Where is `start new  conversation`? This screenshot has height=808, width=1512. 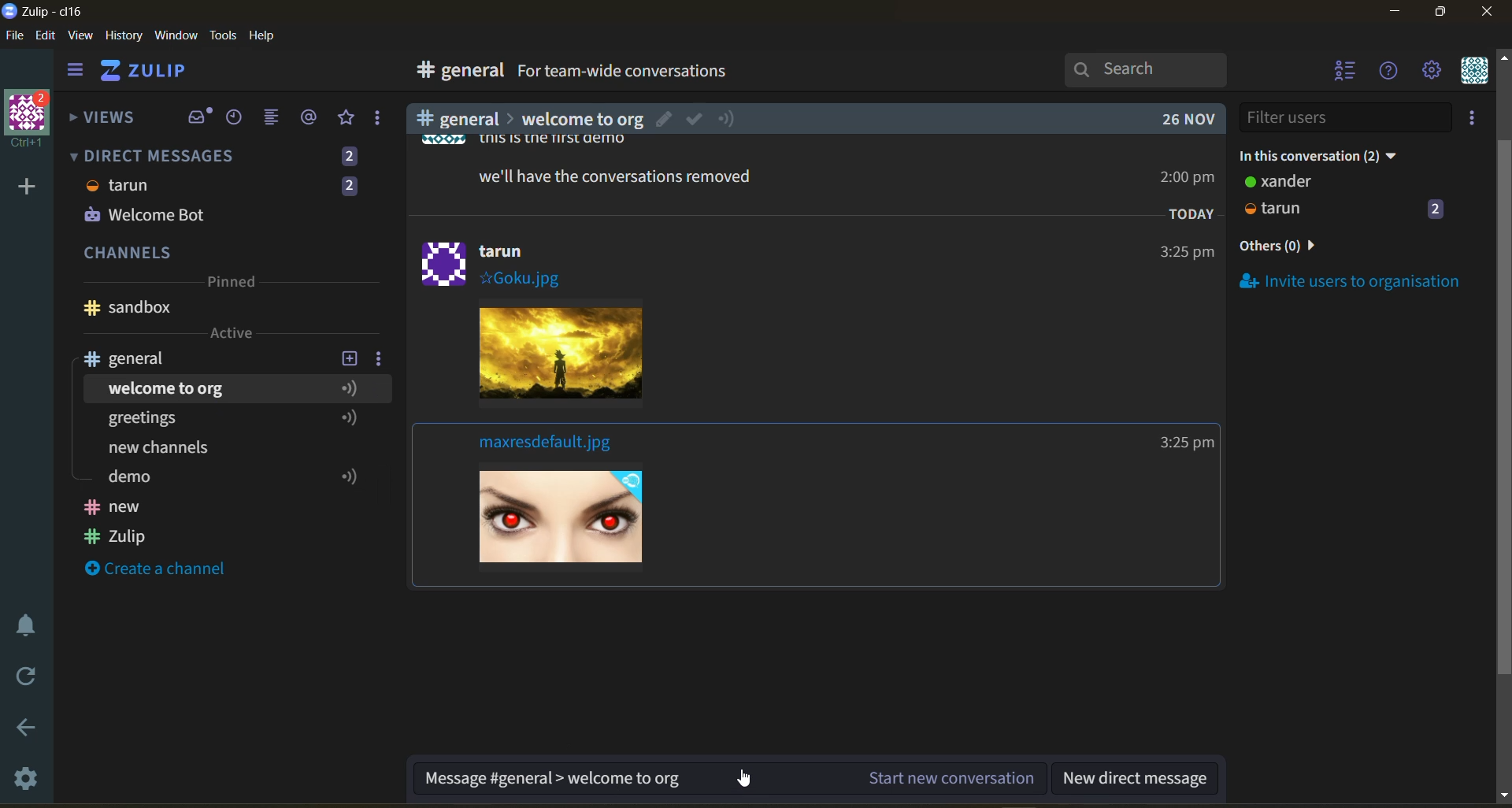
start new  conversation is located at coordinates (950, 780).